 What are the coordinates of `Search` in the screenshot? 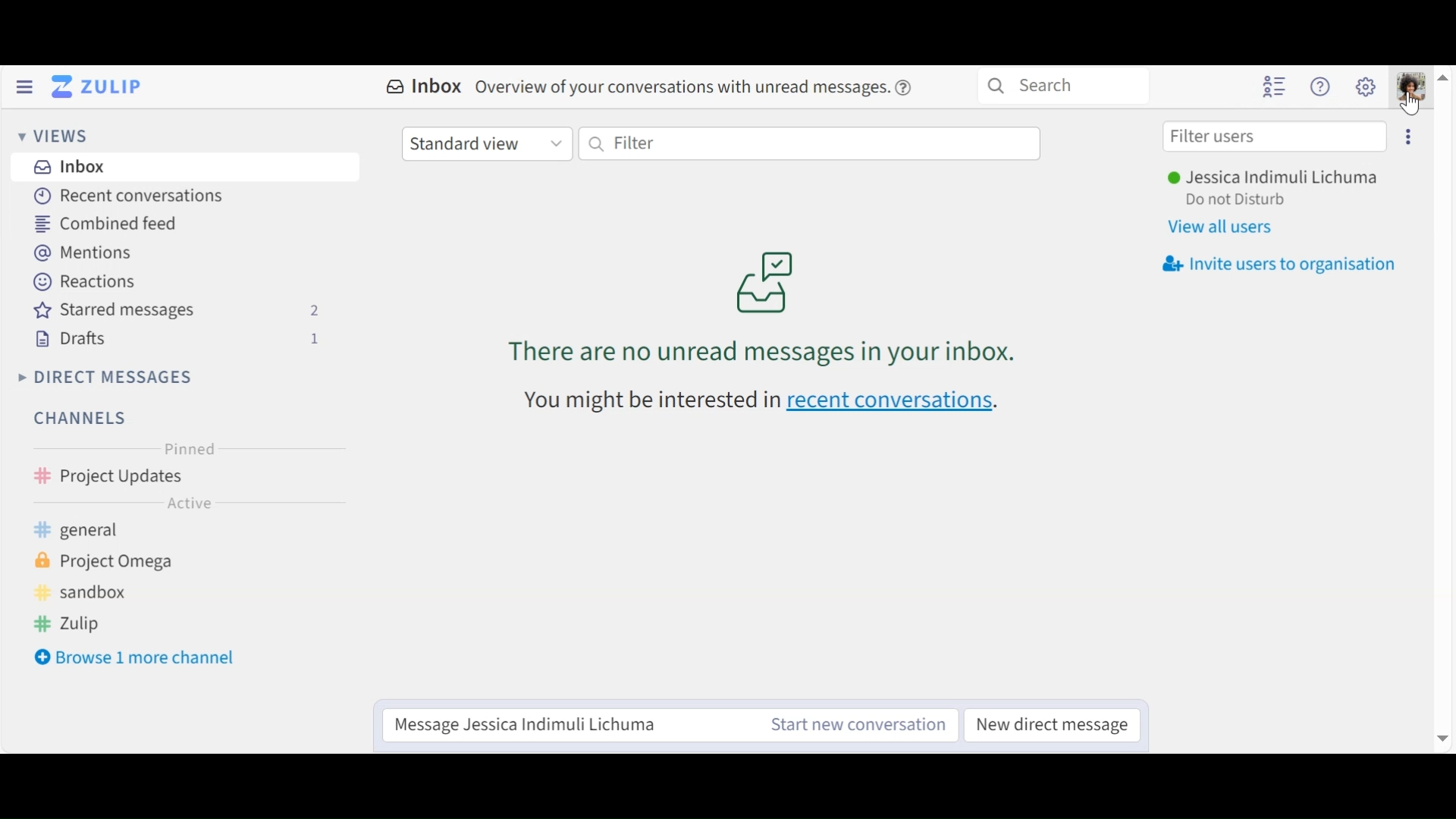 It's located at (1065, 87).